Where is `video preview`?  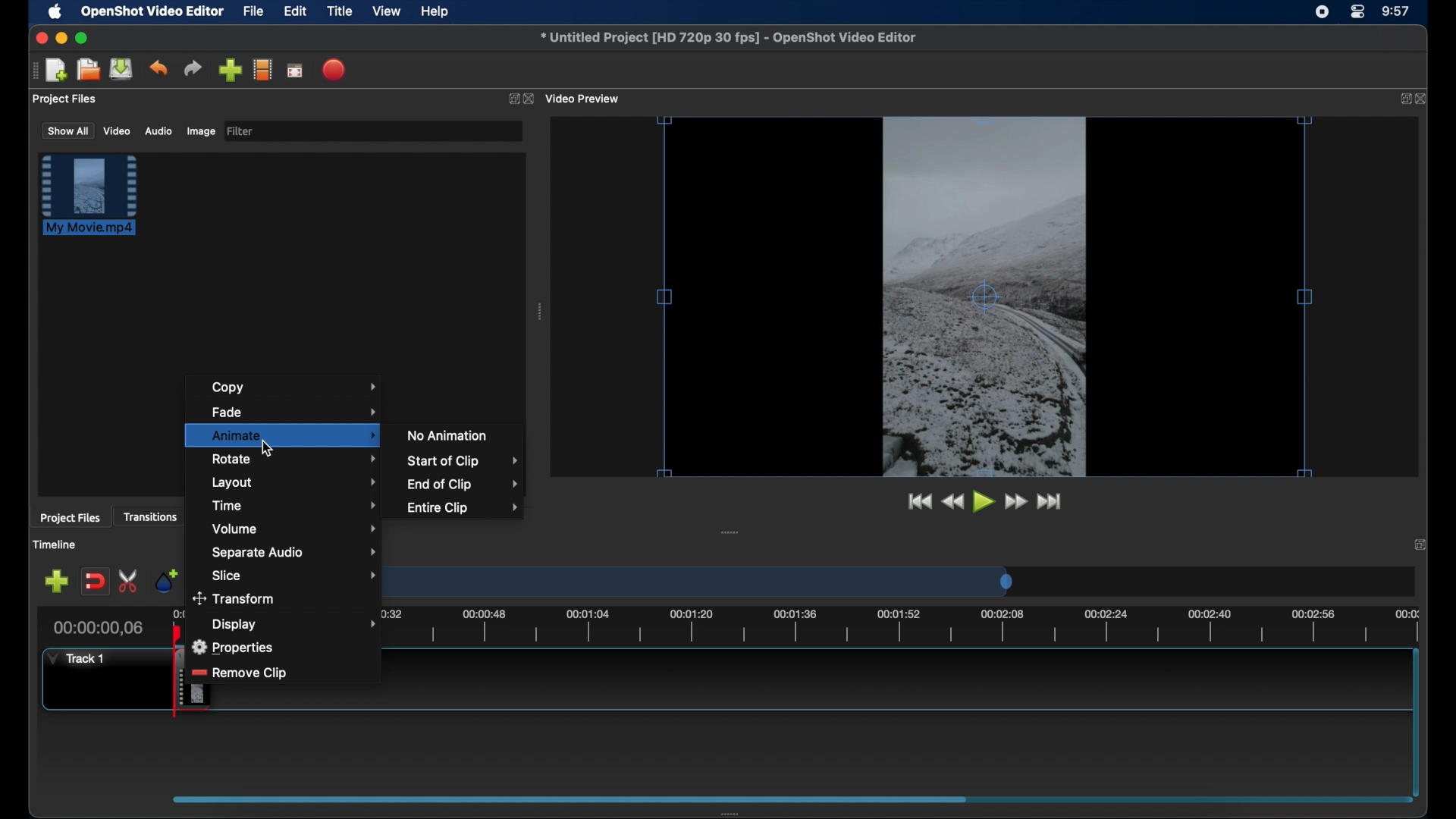
video preview is located at coordinates (584, 99).